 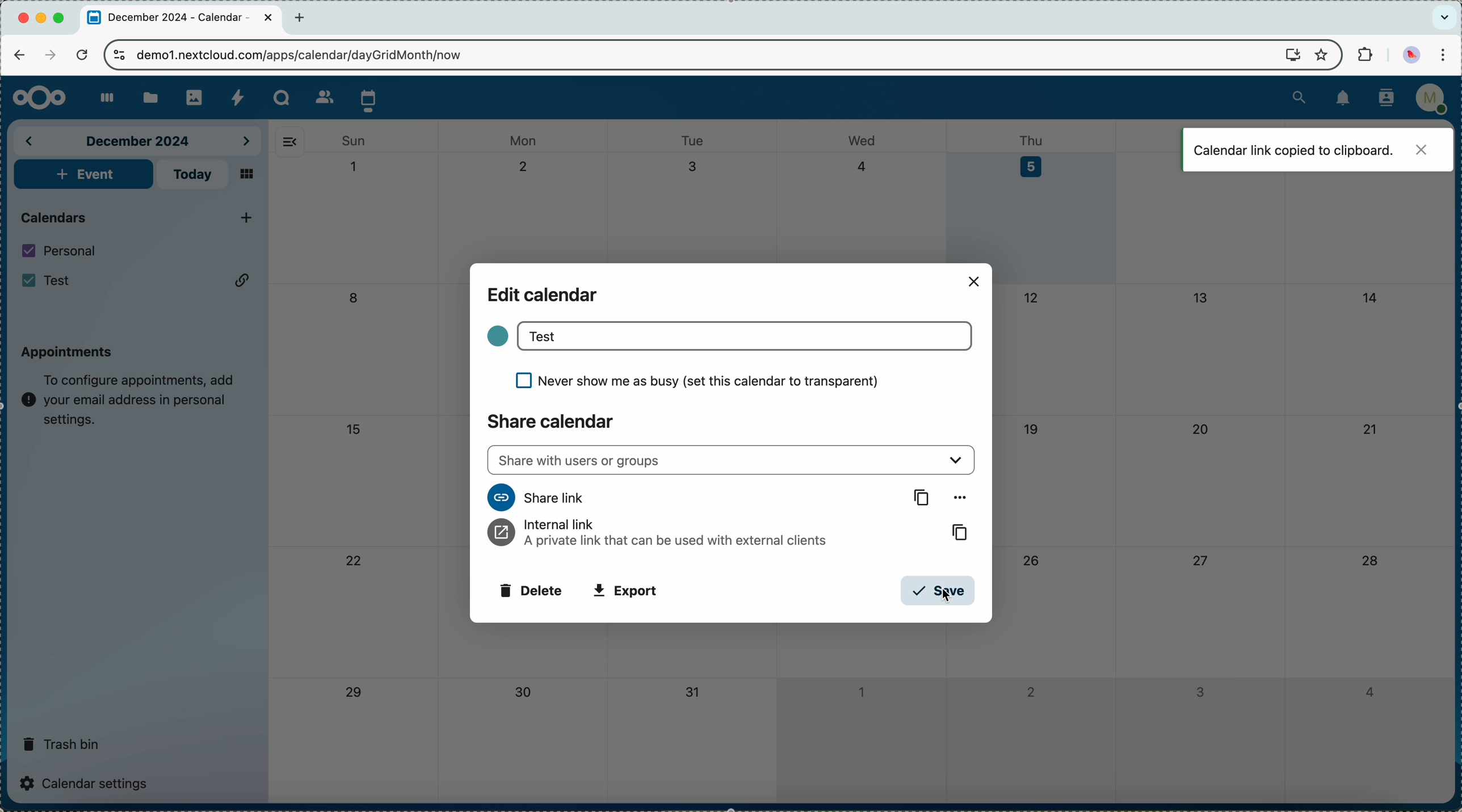 I want to click on search tabs, so click(x=1444, y=18).